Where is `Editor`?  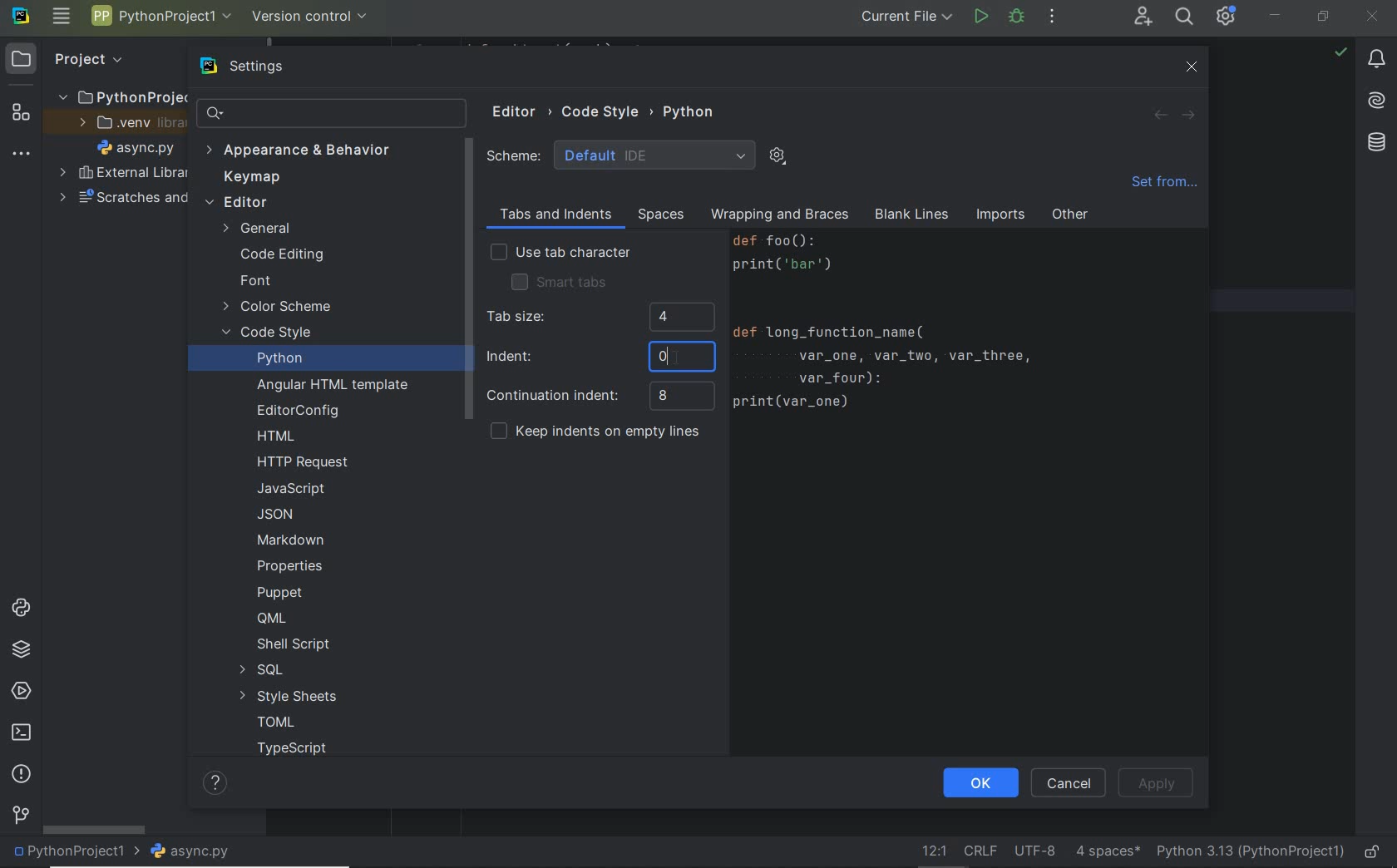
Editor is located at coordinates (521, 112).